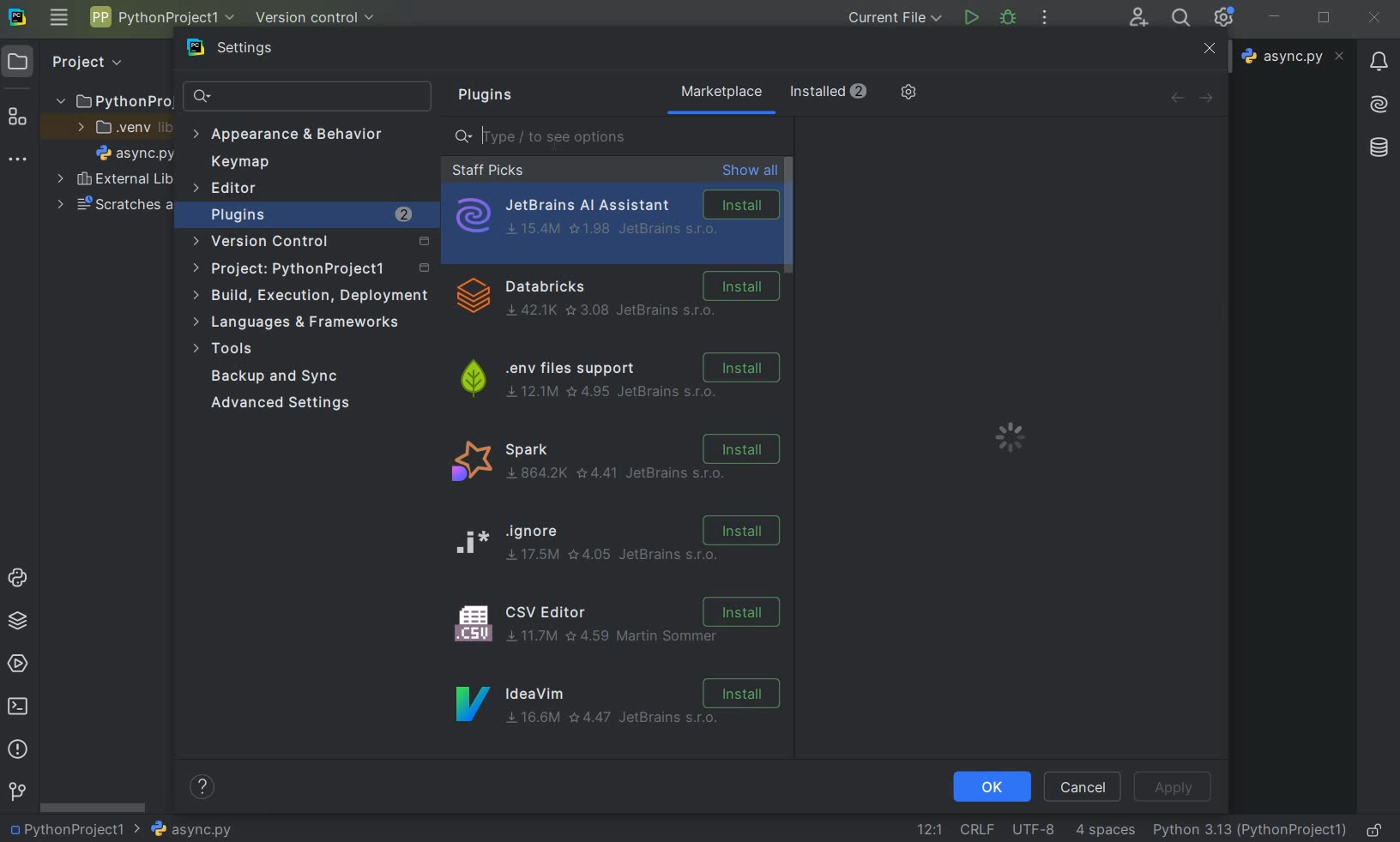  I want to click on back, so click(1176, 98).